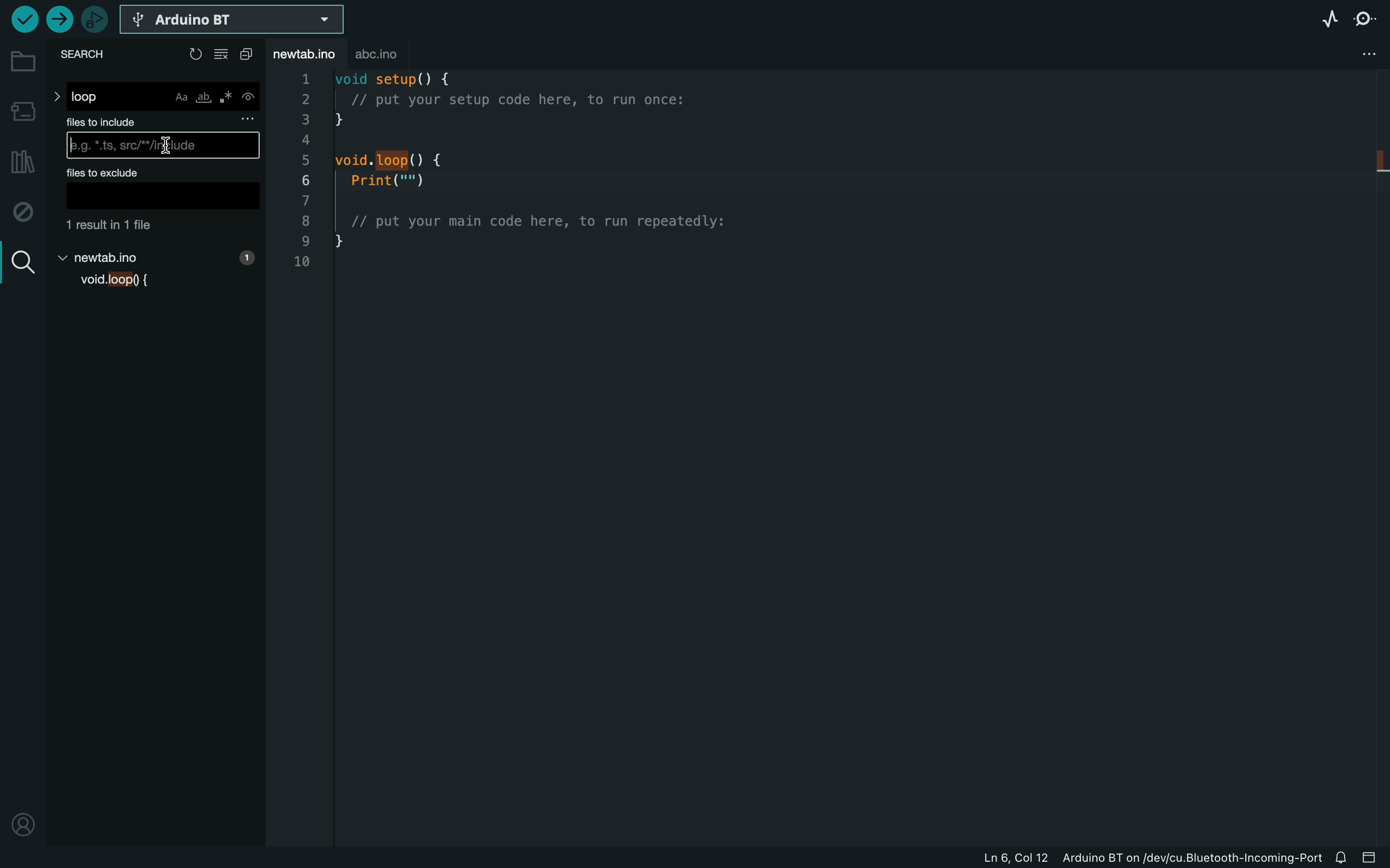 The width and height of the screenshot is (1390, 868). What do you see at coordinates (196, 54) in the screenshot?
I see `reload` at bounding box center [196, 54].